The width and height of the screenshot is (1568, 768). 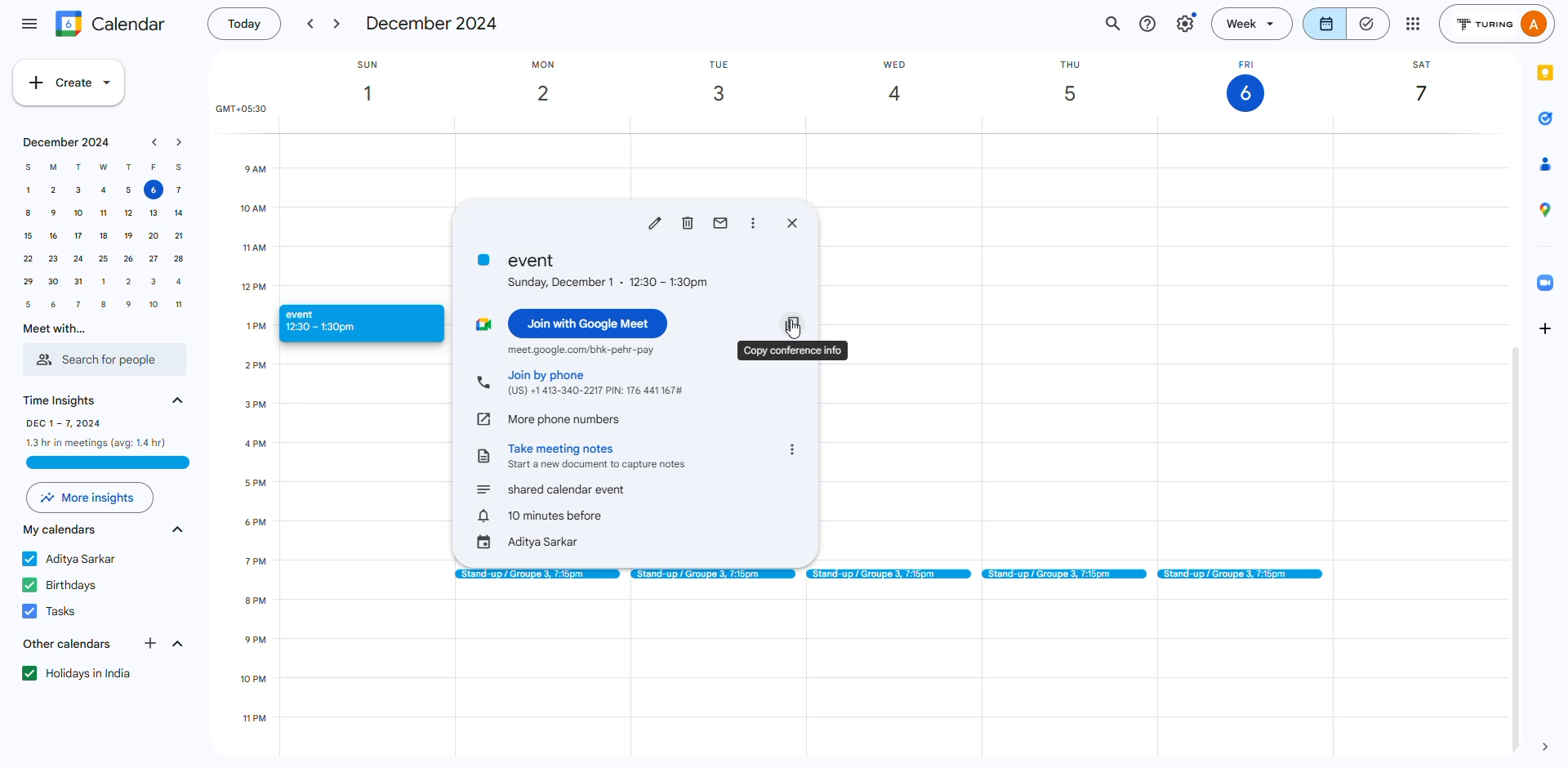 What do you see at coordinates (483, 324) in the screenshot?
I see `meet` at bounding box center [483, 324].